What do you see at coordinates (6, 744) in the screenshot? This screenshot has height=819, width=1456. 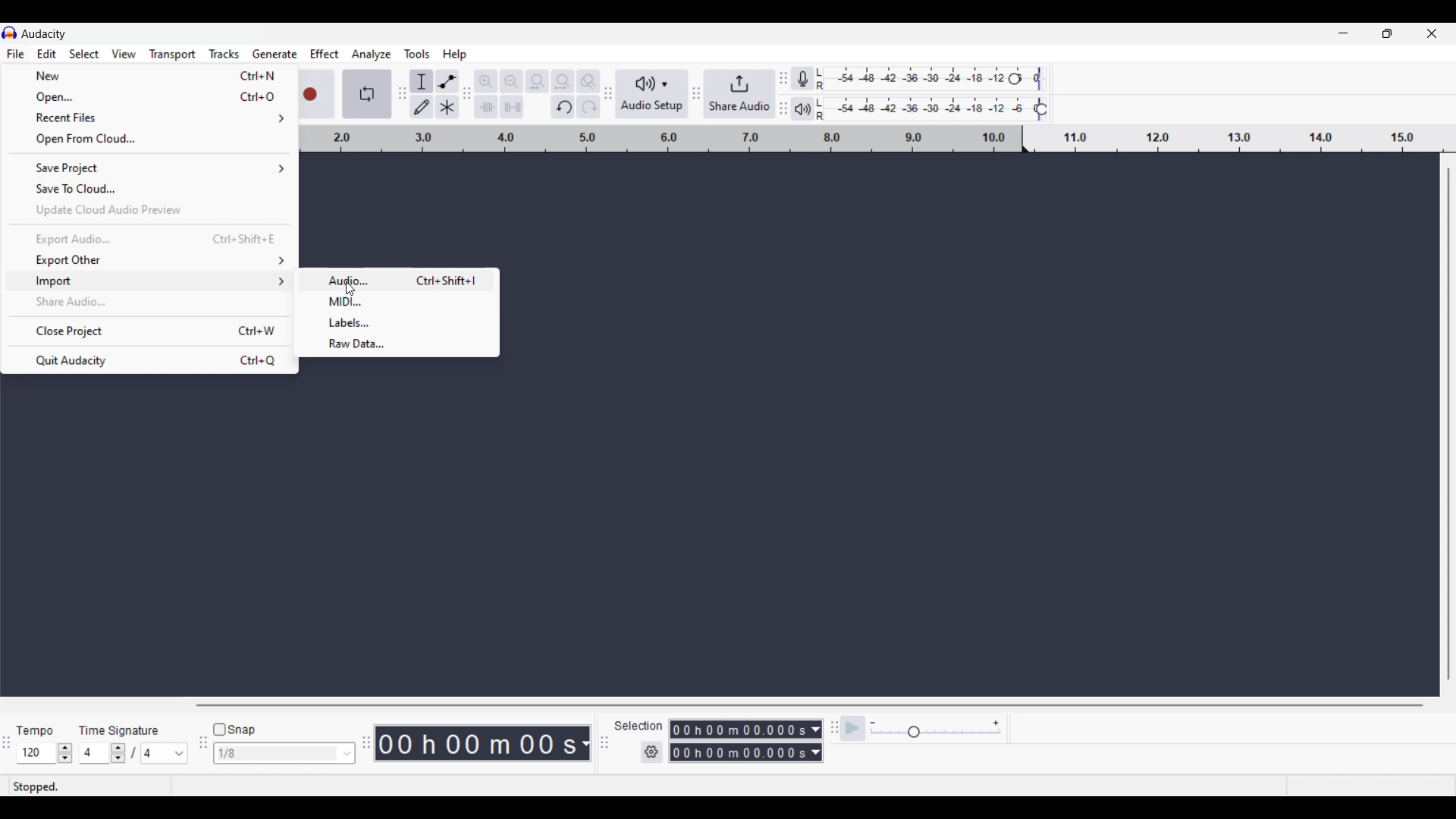 I see `signature time tool bar` at bounding box center [6, 744].